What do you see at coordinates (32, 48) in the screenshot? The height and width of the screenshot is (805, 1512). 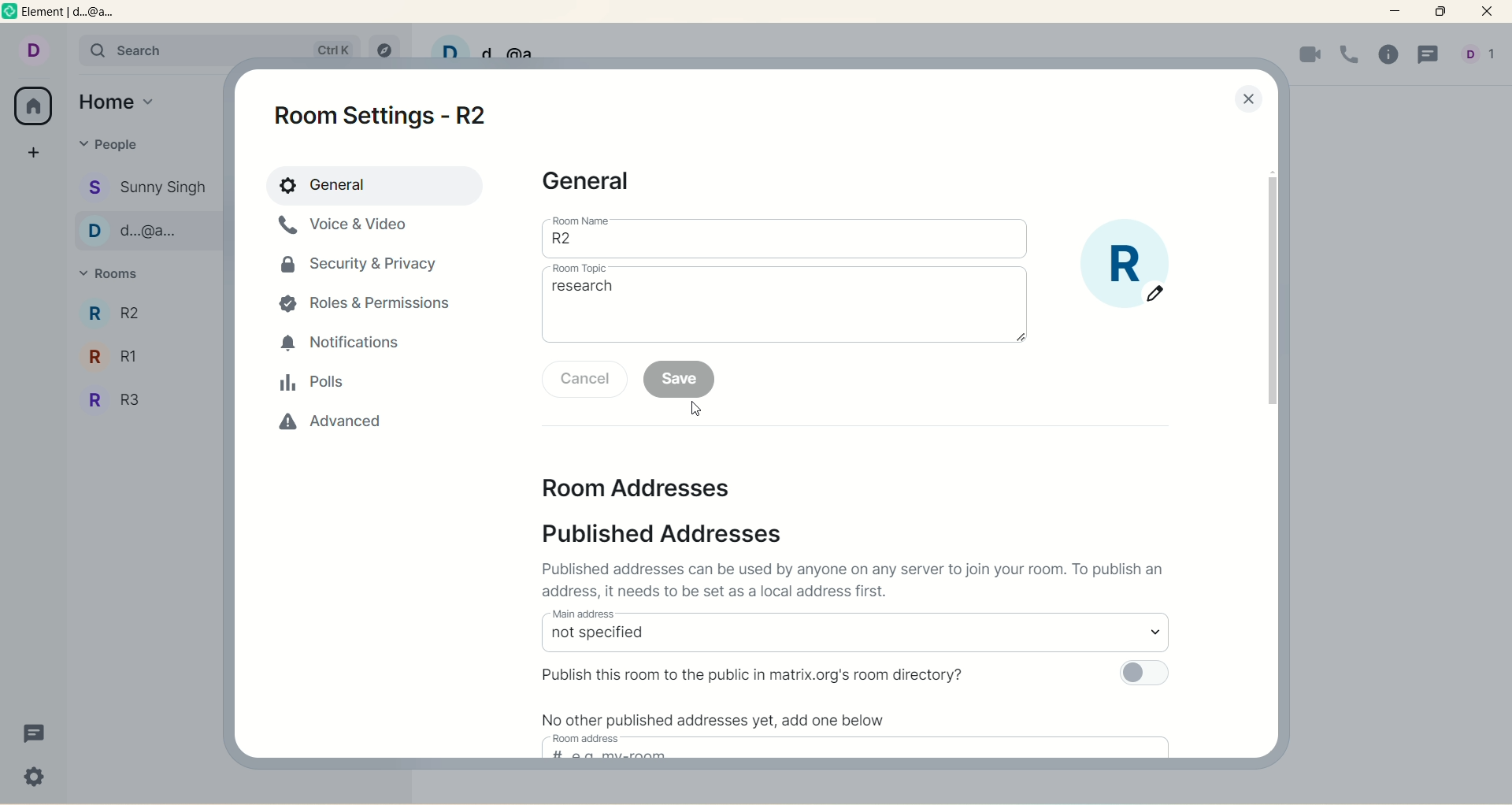 I see `account` at bounding box center [32, 48].